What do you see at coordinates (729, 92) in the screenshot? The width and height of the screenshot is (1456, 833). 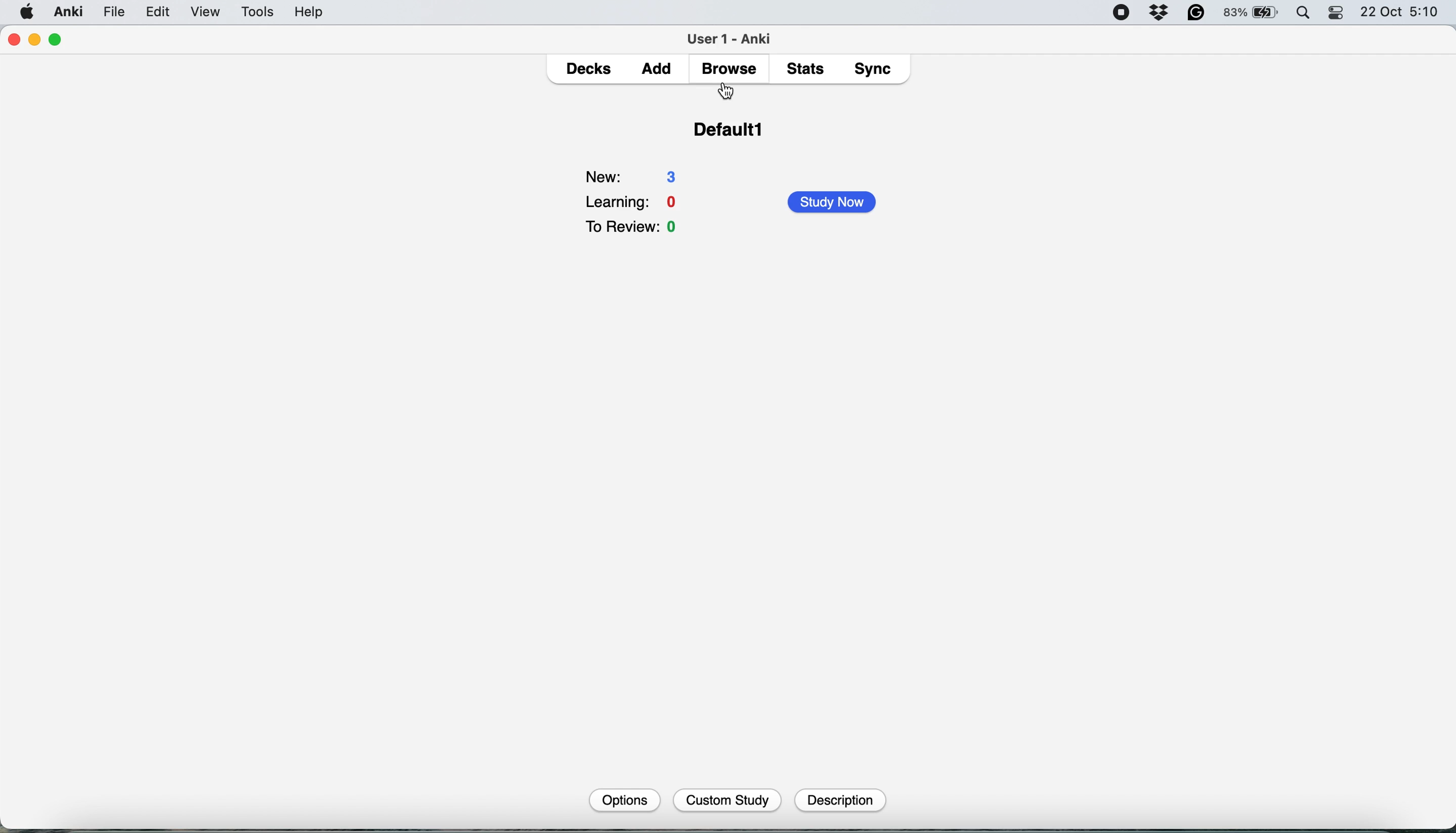 I see `cursor` at bounding box center [729, 92].